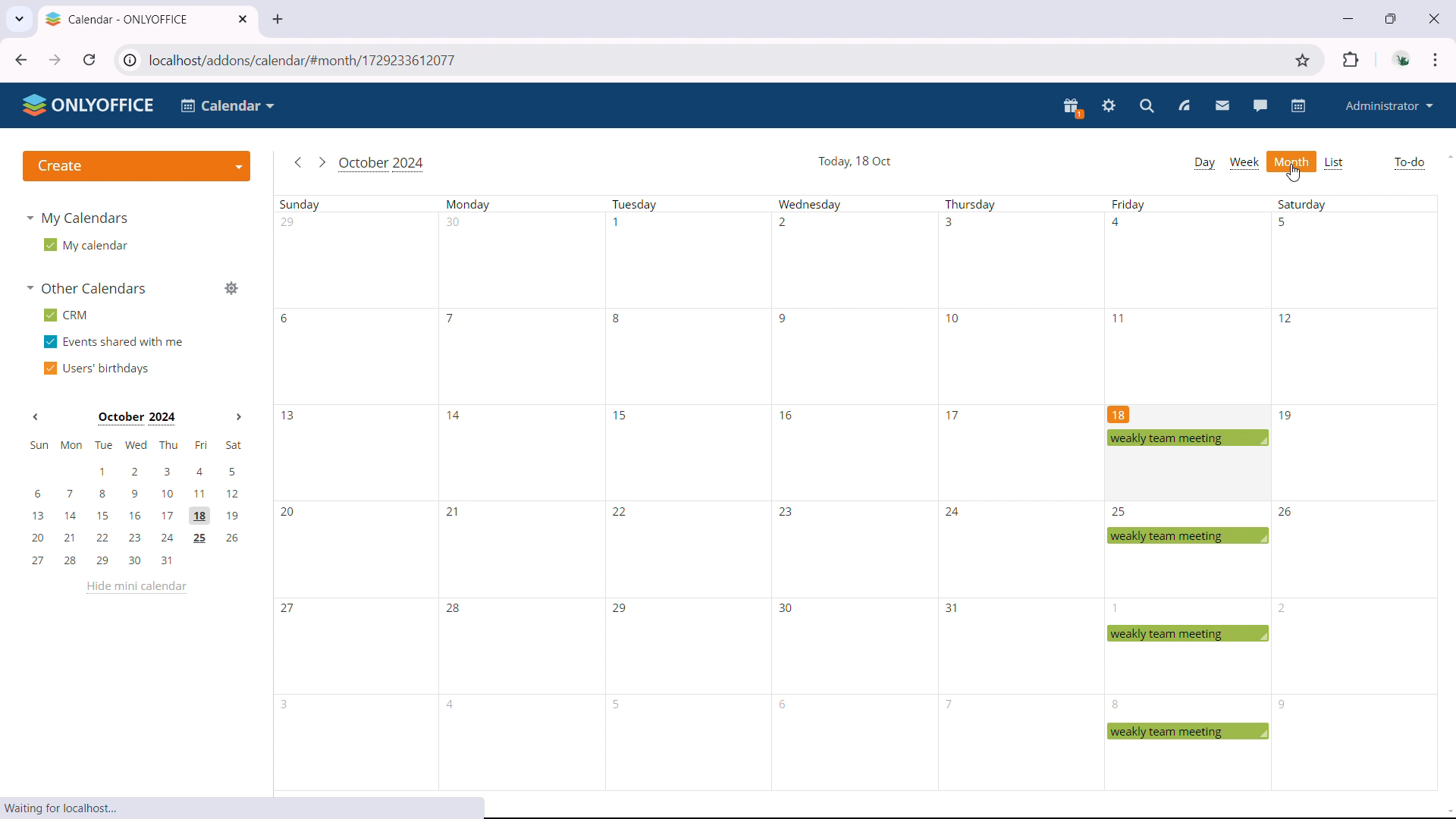 This screenshot has height=819, width=1456. I want to click on new tab, so click(282, 20).